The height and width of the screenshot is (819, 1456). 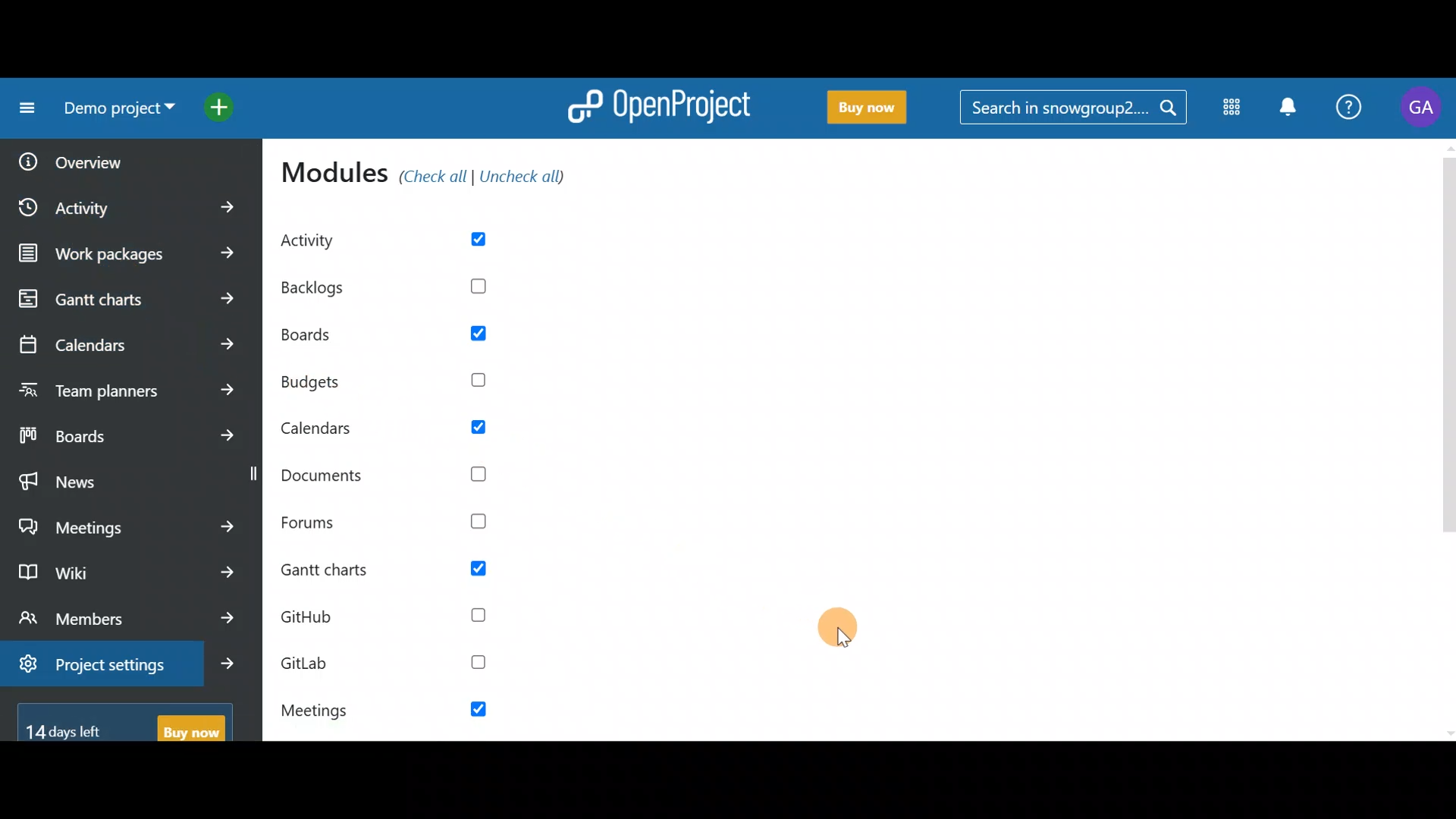 What do you see at coordinates (125, 661) in the screenshot?
I see `Project settings` at bounding box center [125, 661].